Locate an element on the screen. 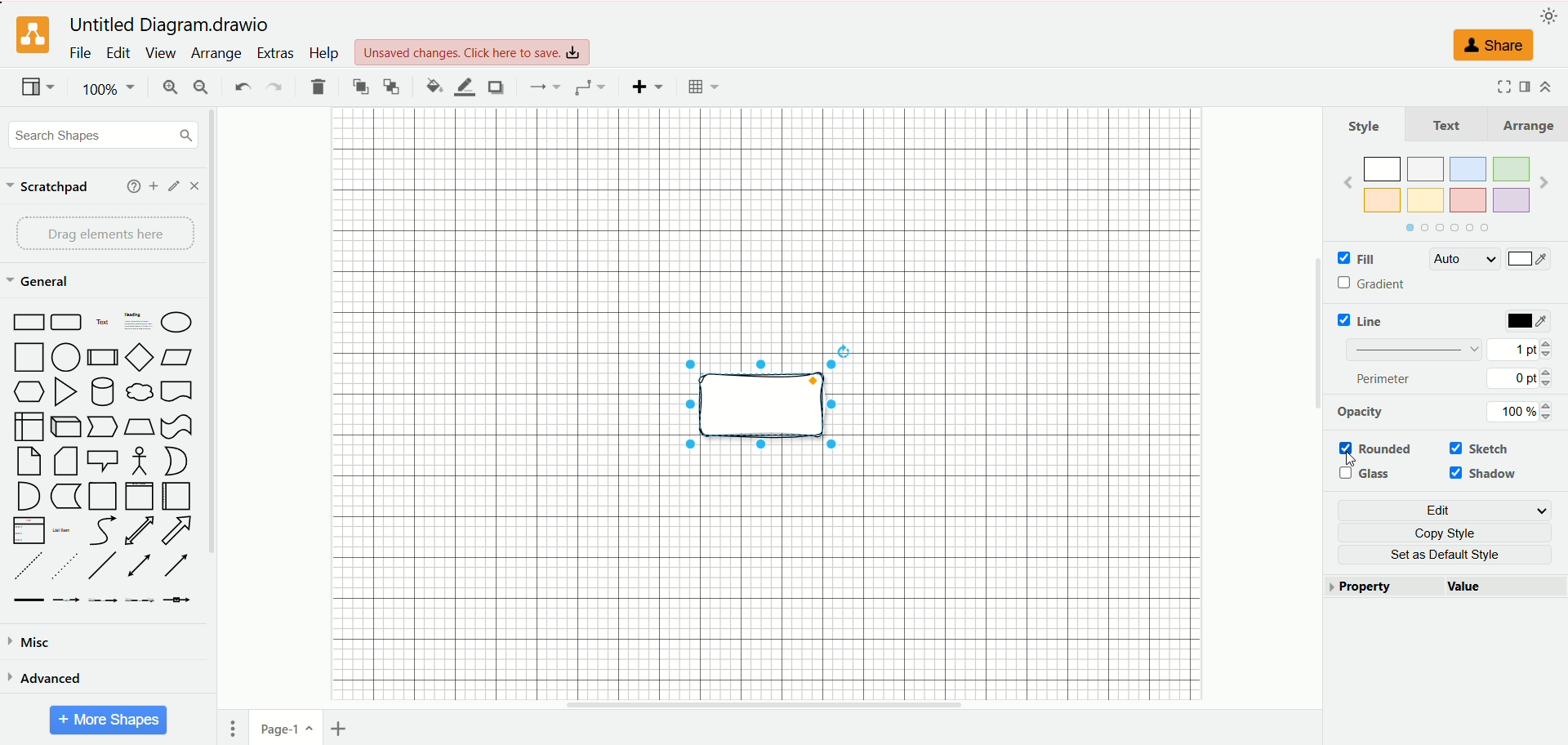 This screenshot has height=745, width=1568. opacity is located at coordinates (1361, 412).